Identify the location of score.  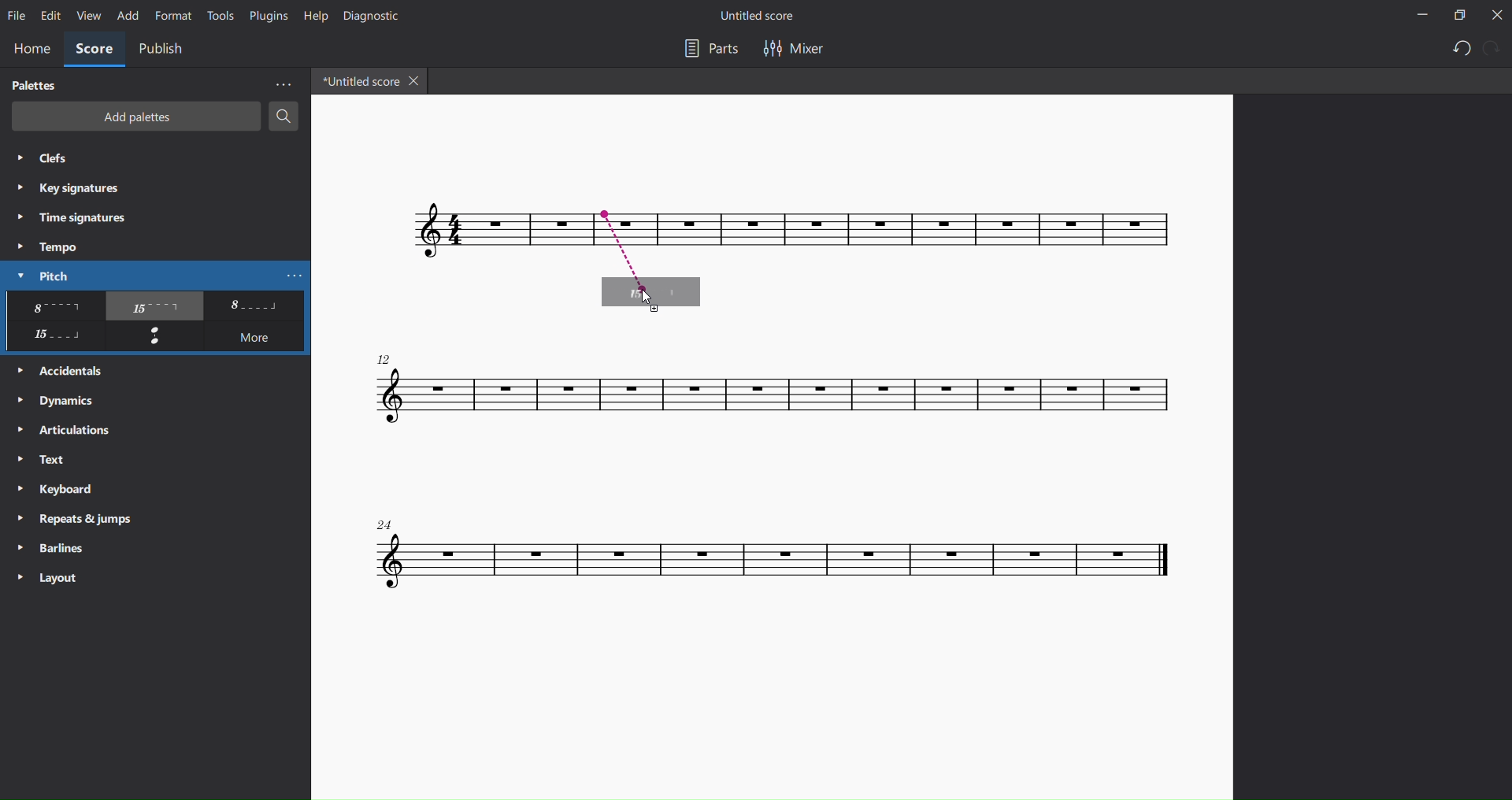
(773, 554).